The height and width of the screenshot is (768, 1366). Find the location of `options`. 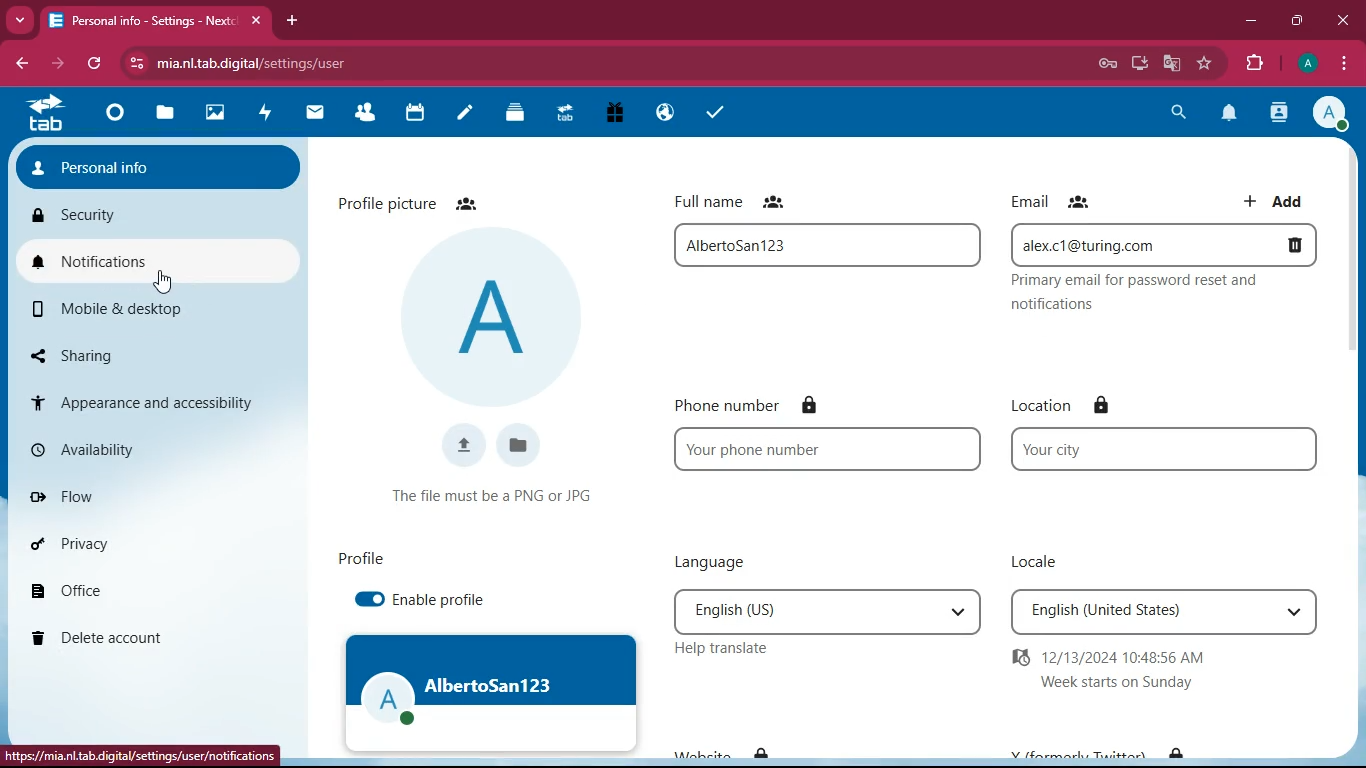

options is located at coordinates (1345, 63).